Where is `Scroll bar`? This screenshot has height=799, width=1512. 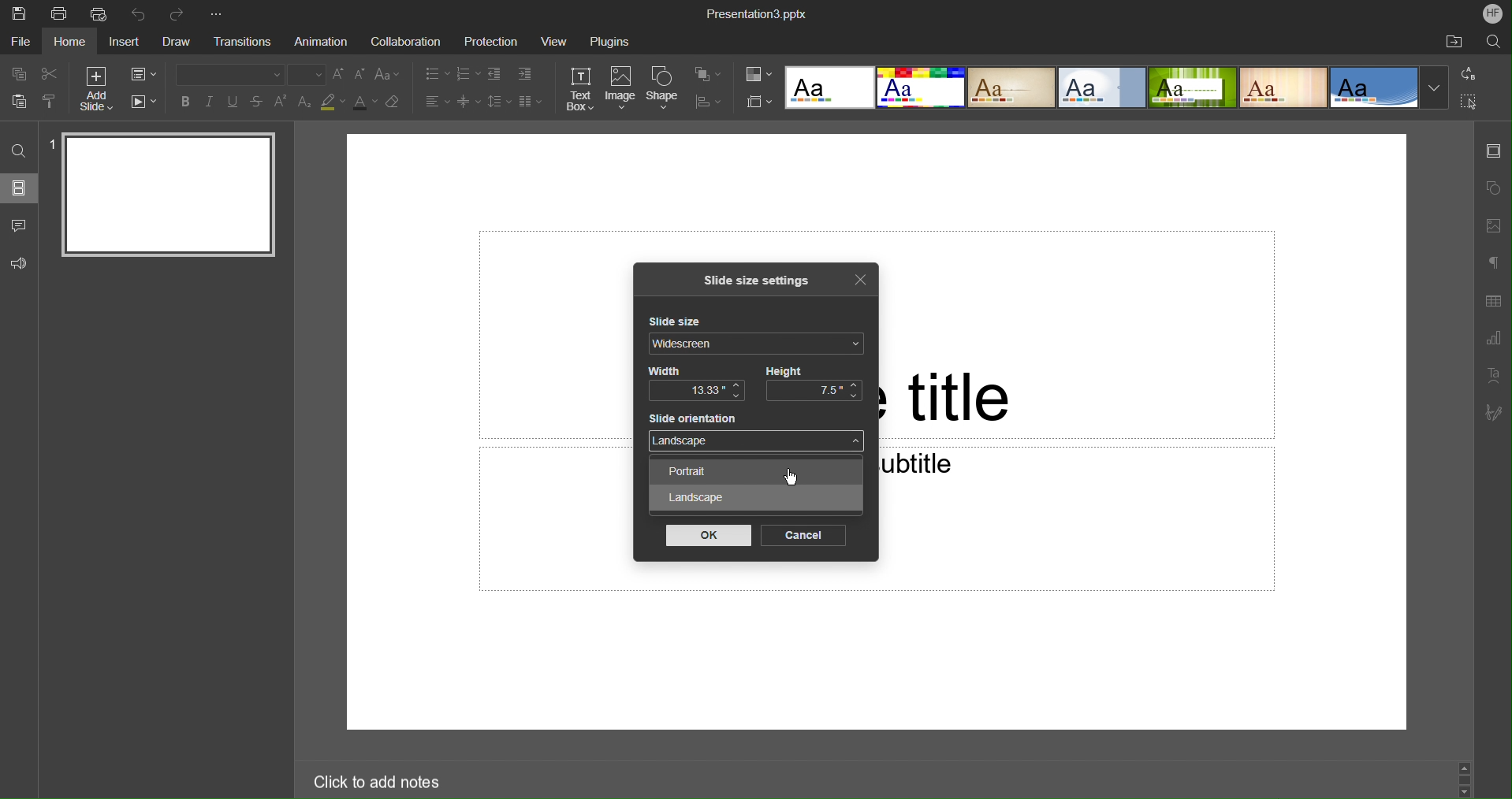 Scroll bar is located at coordinates (1465, 775).